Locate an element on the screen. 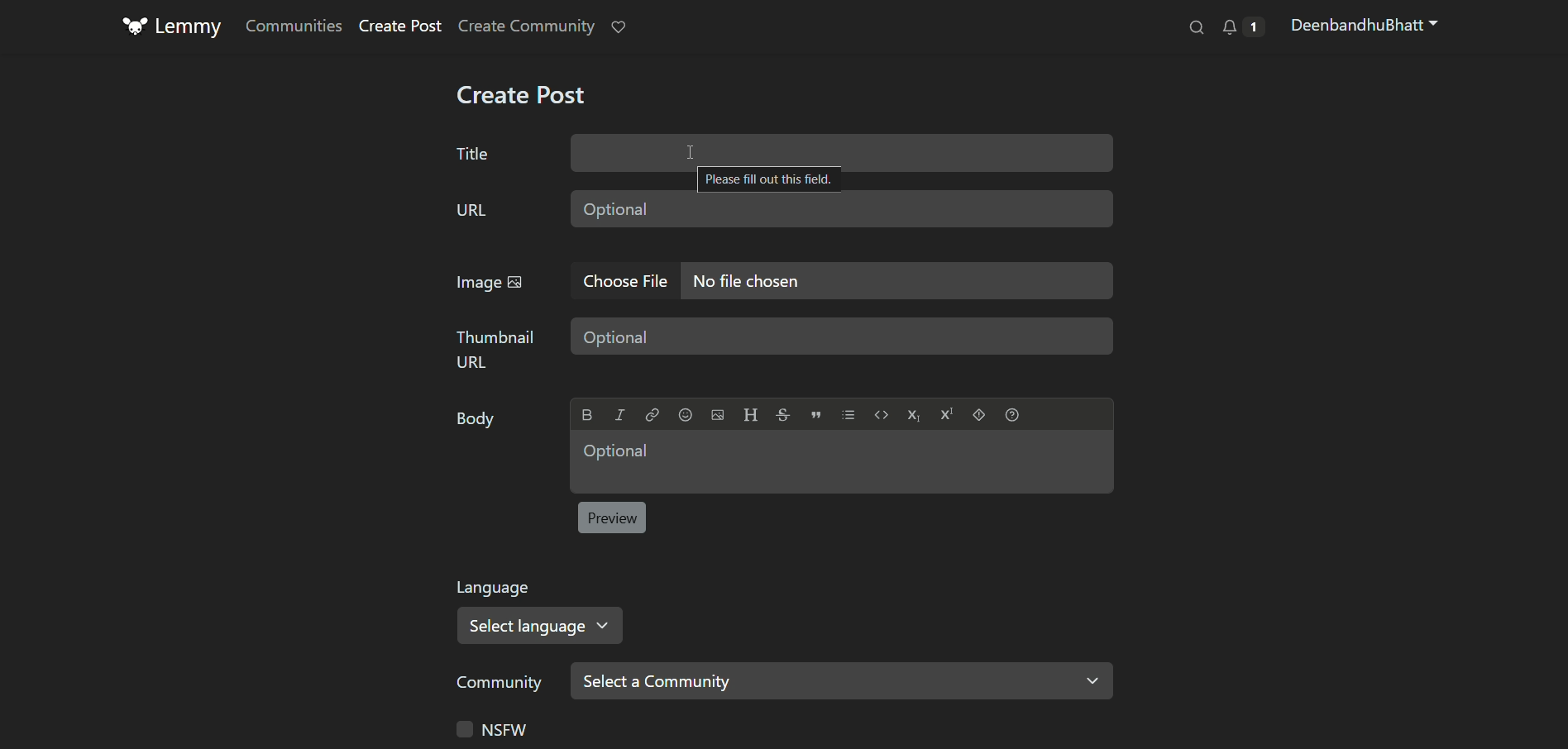  NSFW is located at coordinates (490, 729).